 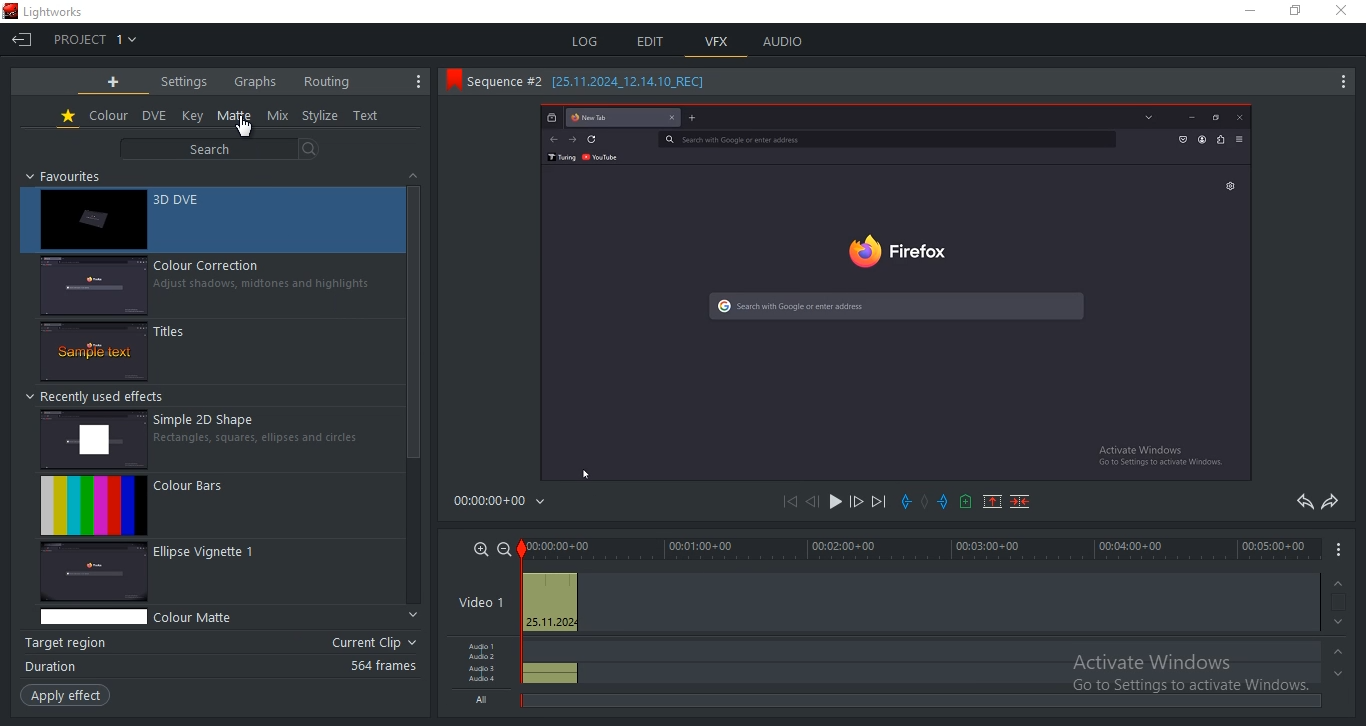 What do you see at coordinates (222, 437) in the screenshot?
I see `simple 2d shapes` at bounding box center [222, 437].